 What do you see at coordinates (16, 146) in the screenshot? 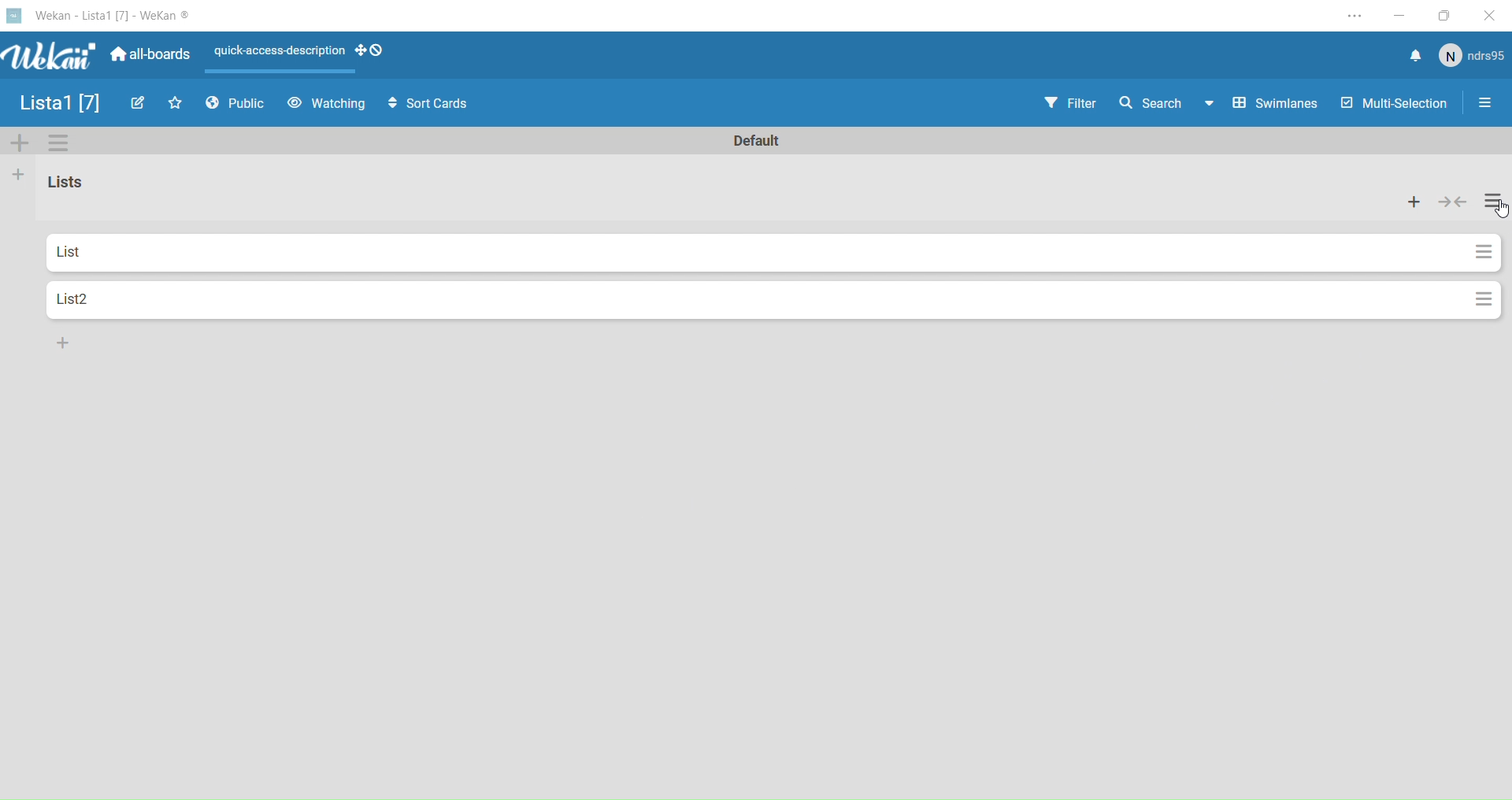
I see `Add` at bounding box center [16, 146].